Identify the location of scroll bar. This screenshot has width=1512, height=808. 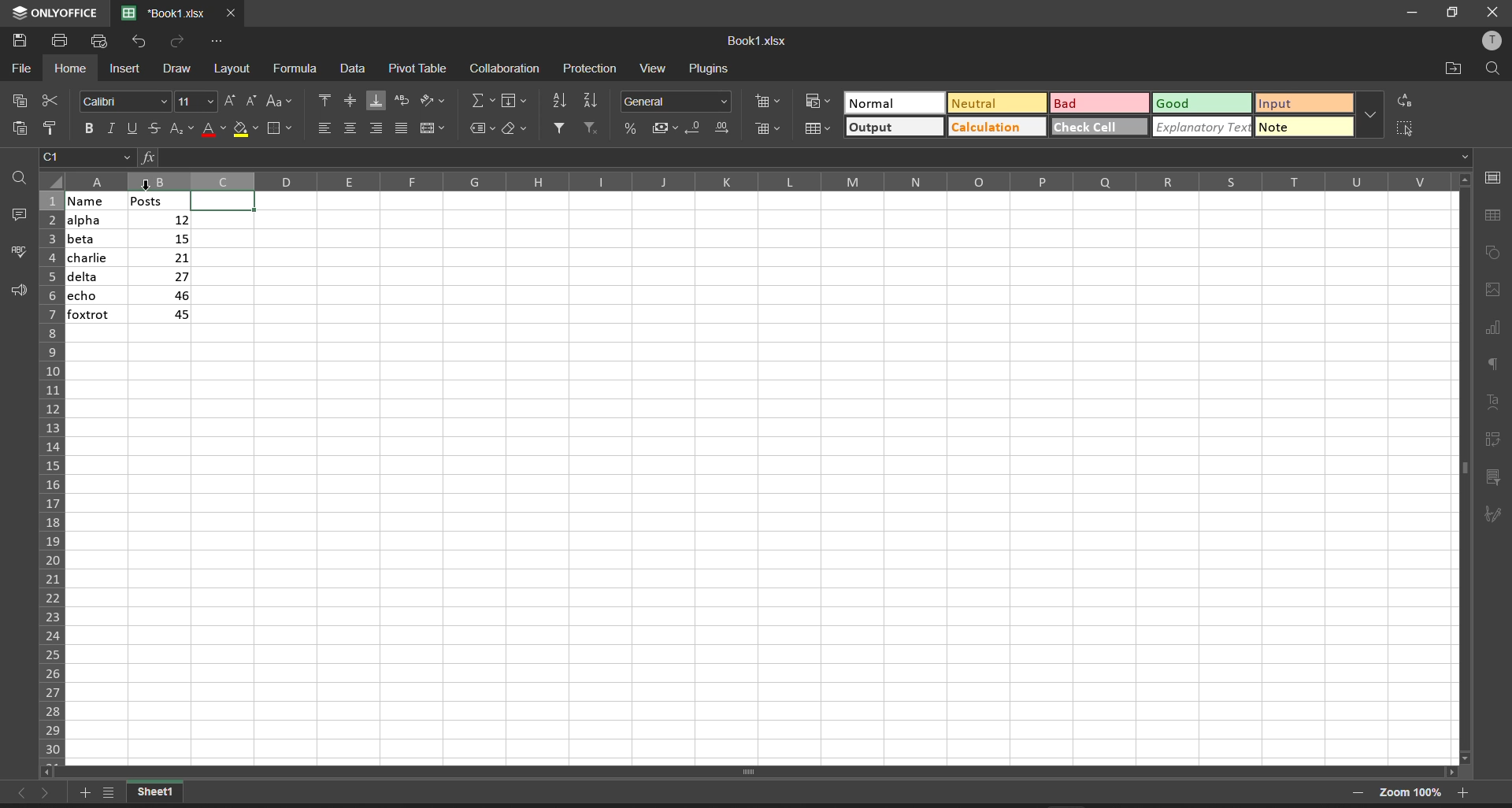
(757, 765).